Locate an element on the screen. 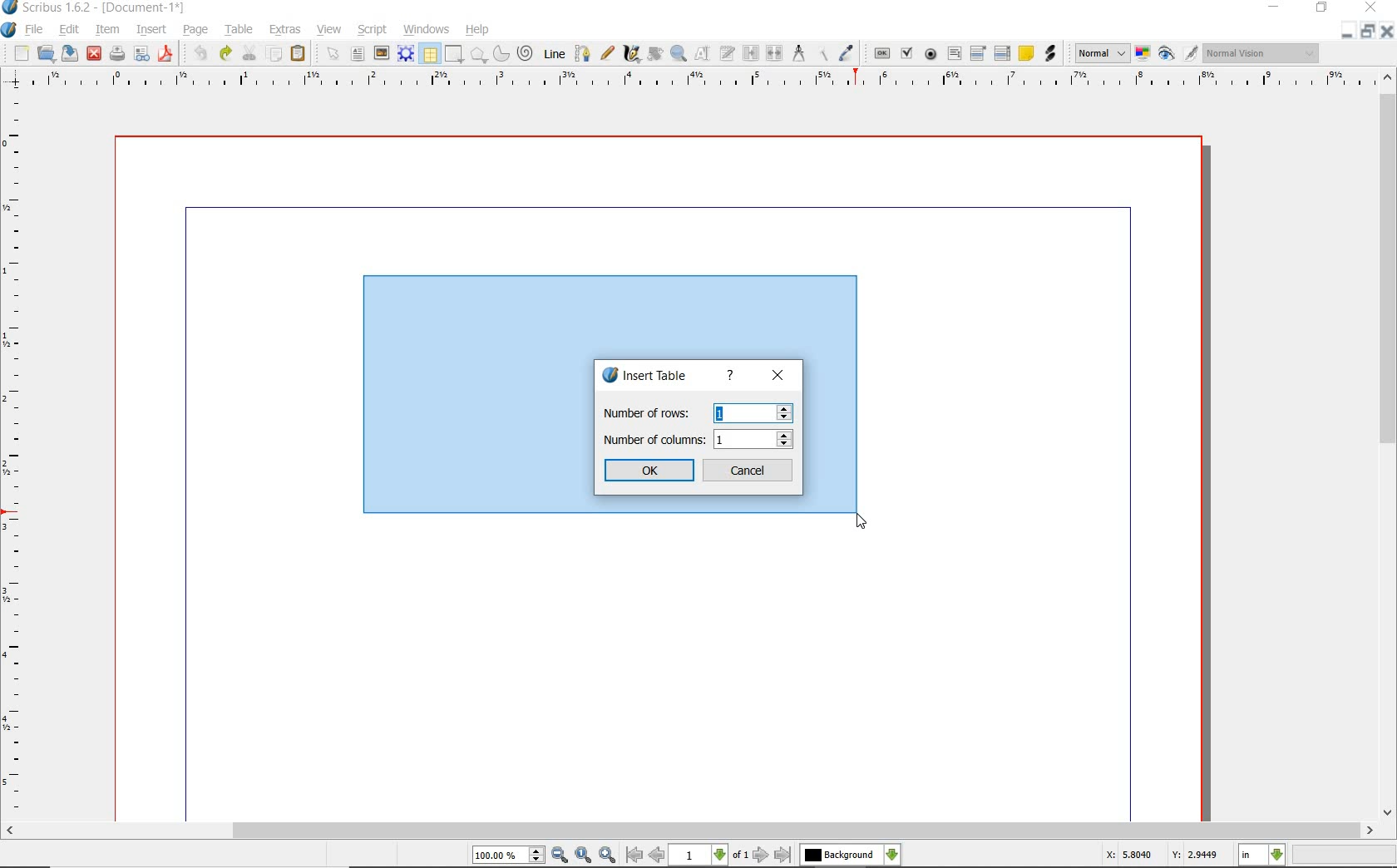 The width and height of the screenshot is (1397, 868). shape is located at coordinates (479, 56).